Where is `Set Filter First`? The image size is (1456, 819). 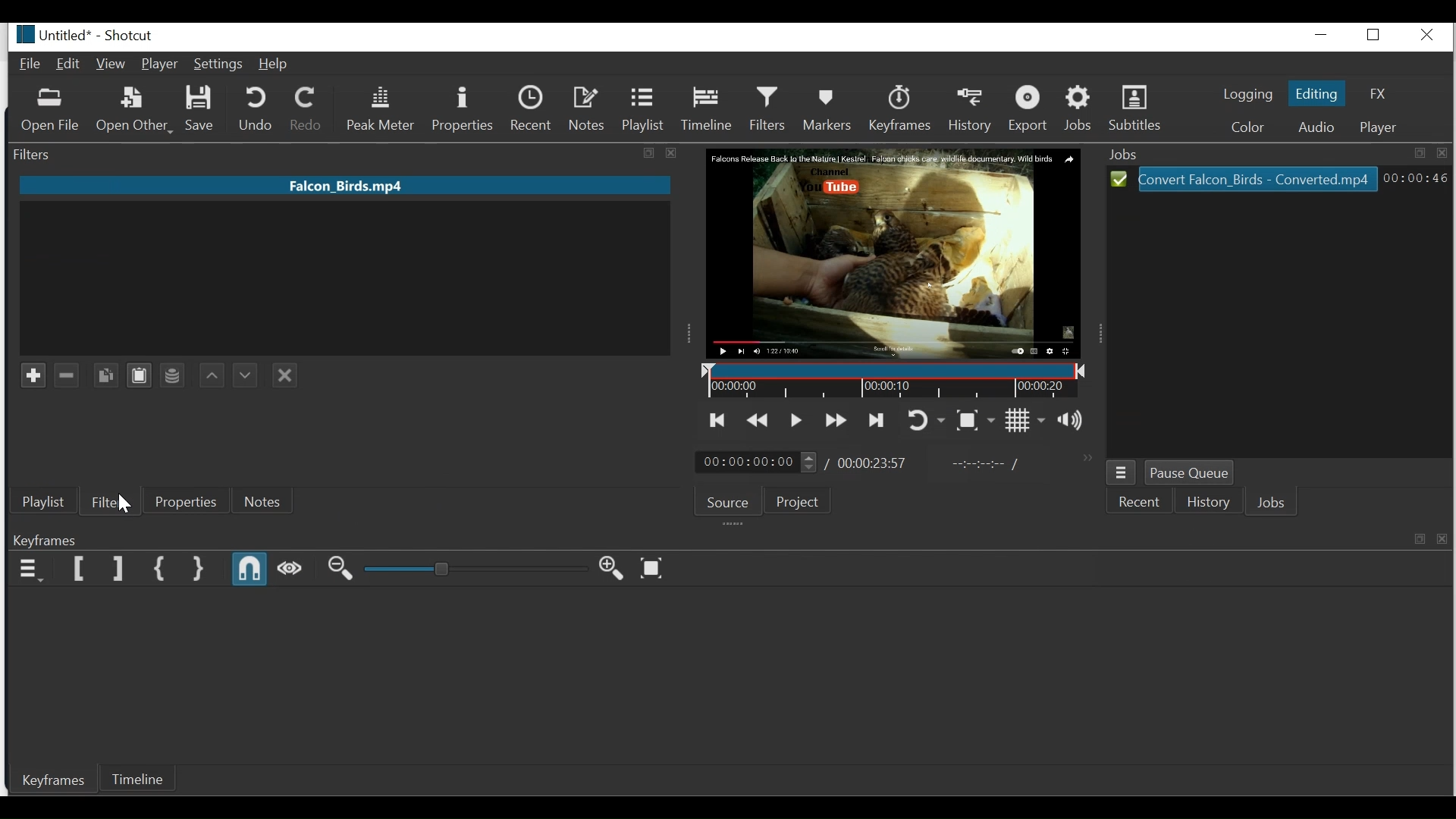
Set Filter First is located at coordinates (80, 570).